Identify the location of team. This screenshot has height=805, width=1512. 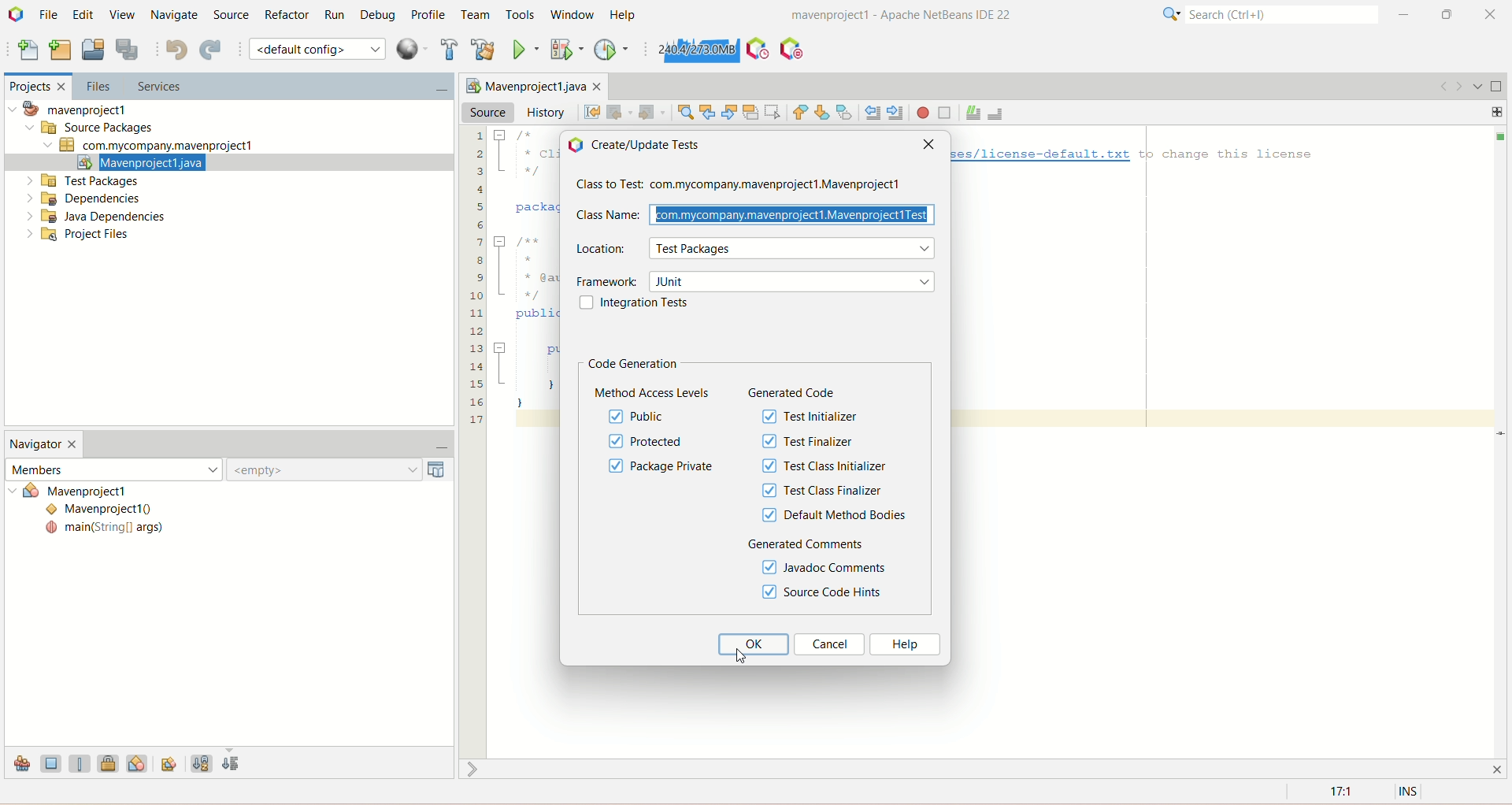
(476, 16).